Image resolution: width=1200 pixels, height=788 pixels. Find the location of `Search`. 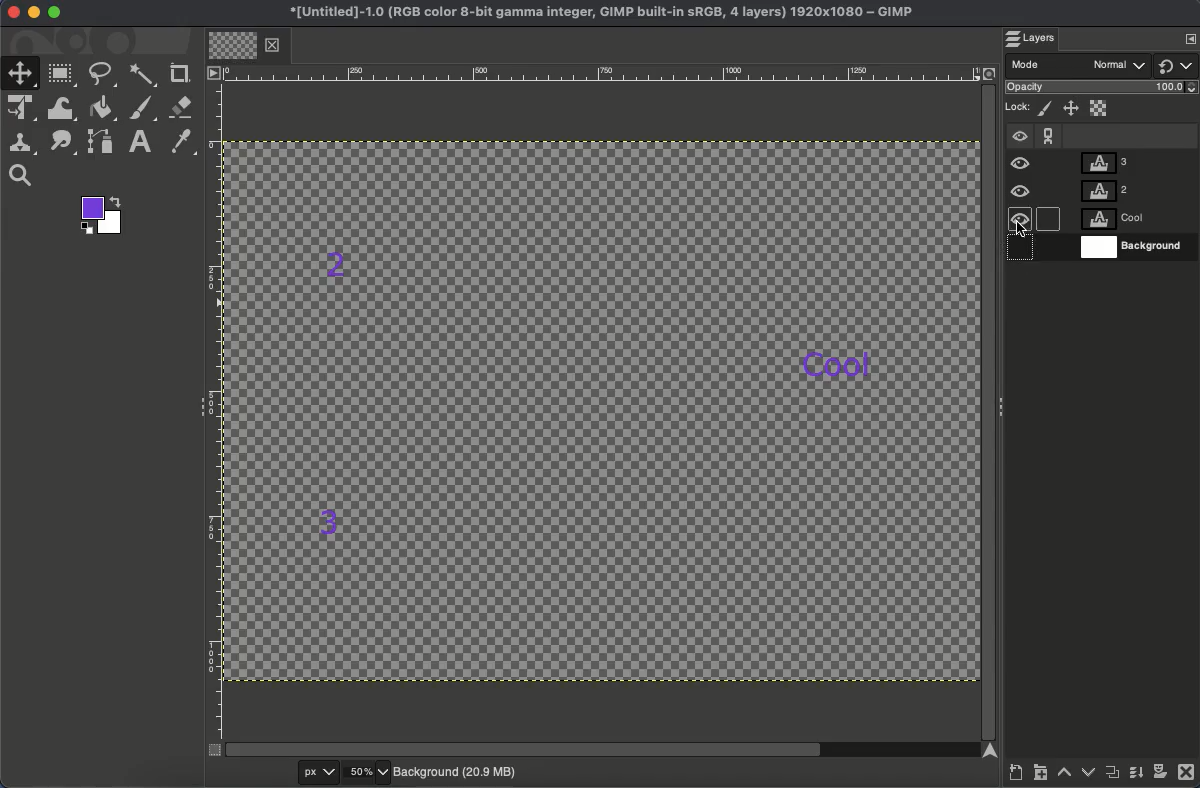

Search is located at coordinates (20, 176).